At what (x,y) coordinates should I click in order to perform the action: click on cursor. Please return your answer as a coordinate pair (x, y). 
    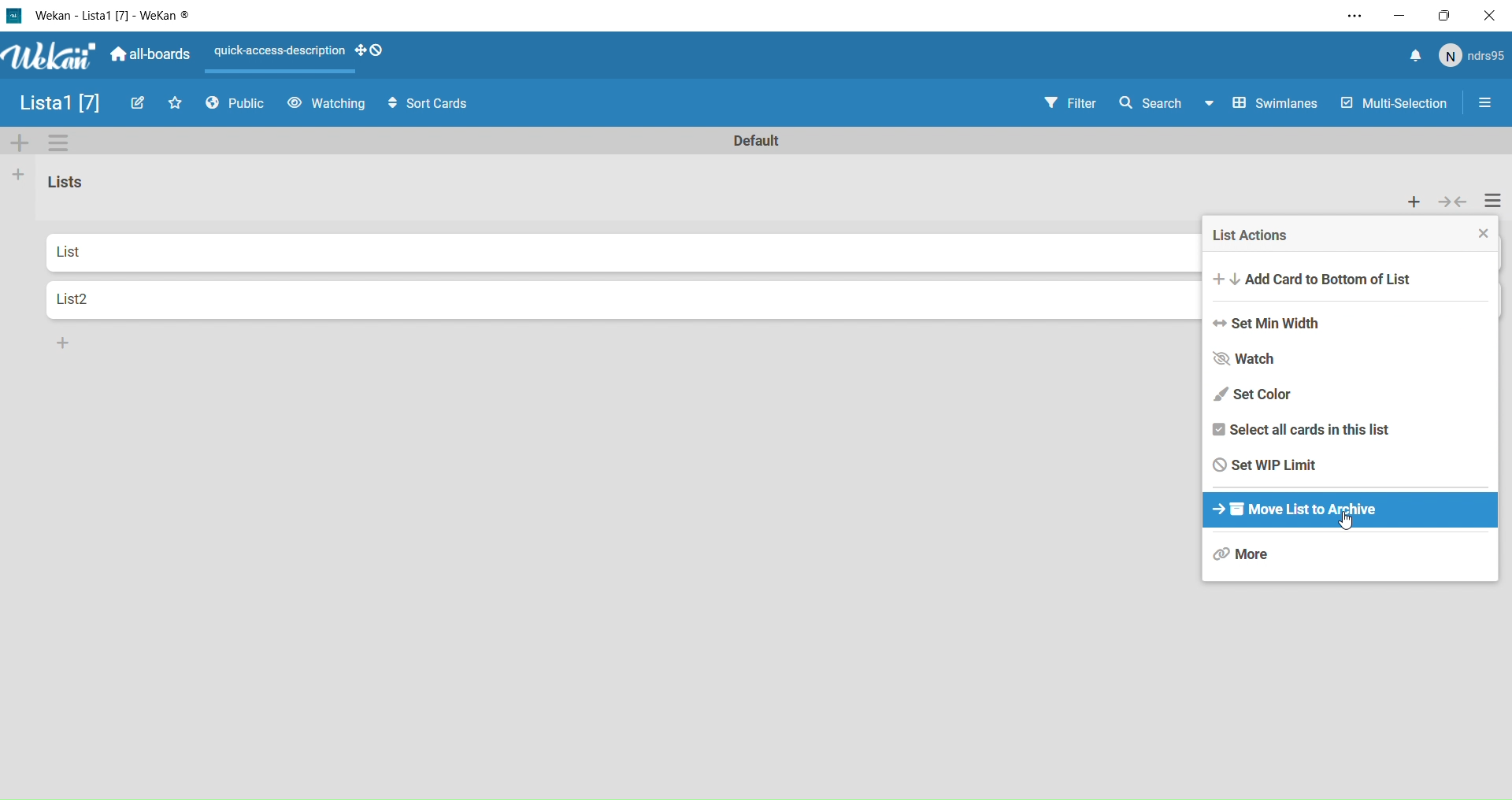
    Looking at the image, I should click on (1347, 522).